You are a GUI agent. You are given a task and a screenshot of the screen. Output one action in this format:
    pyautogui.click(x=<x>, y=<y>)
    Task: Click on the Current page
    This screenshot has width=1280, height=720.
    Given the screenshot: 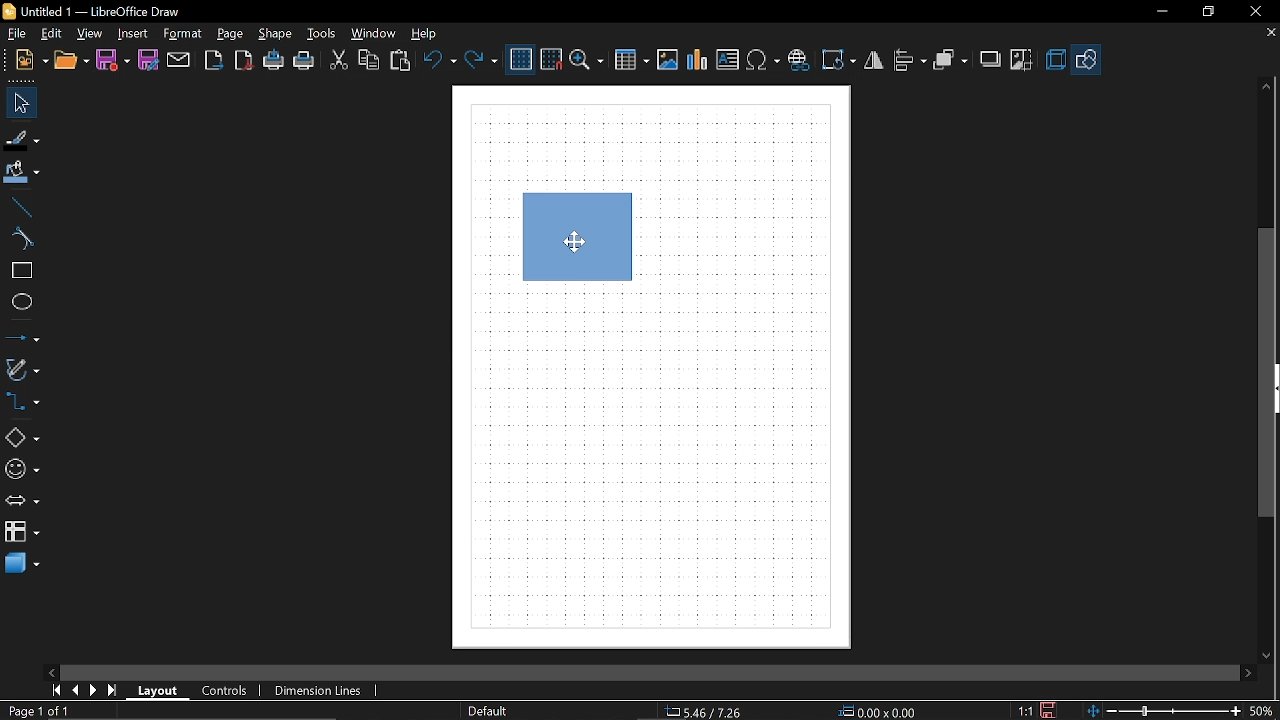 What is the action you would take?
    pyautogui.click(x=38, y=712)
    